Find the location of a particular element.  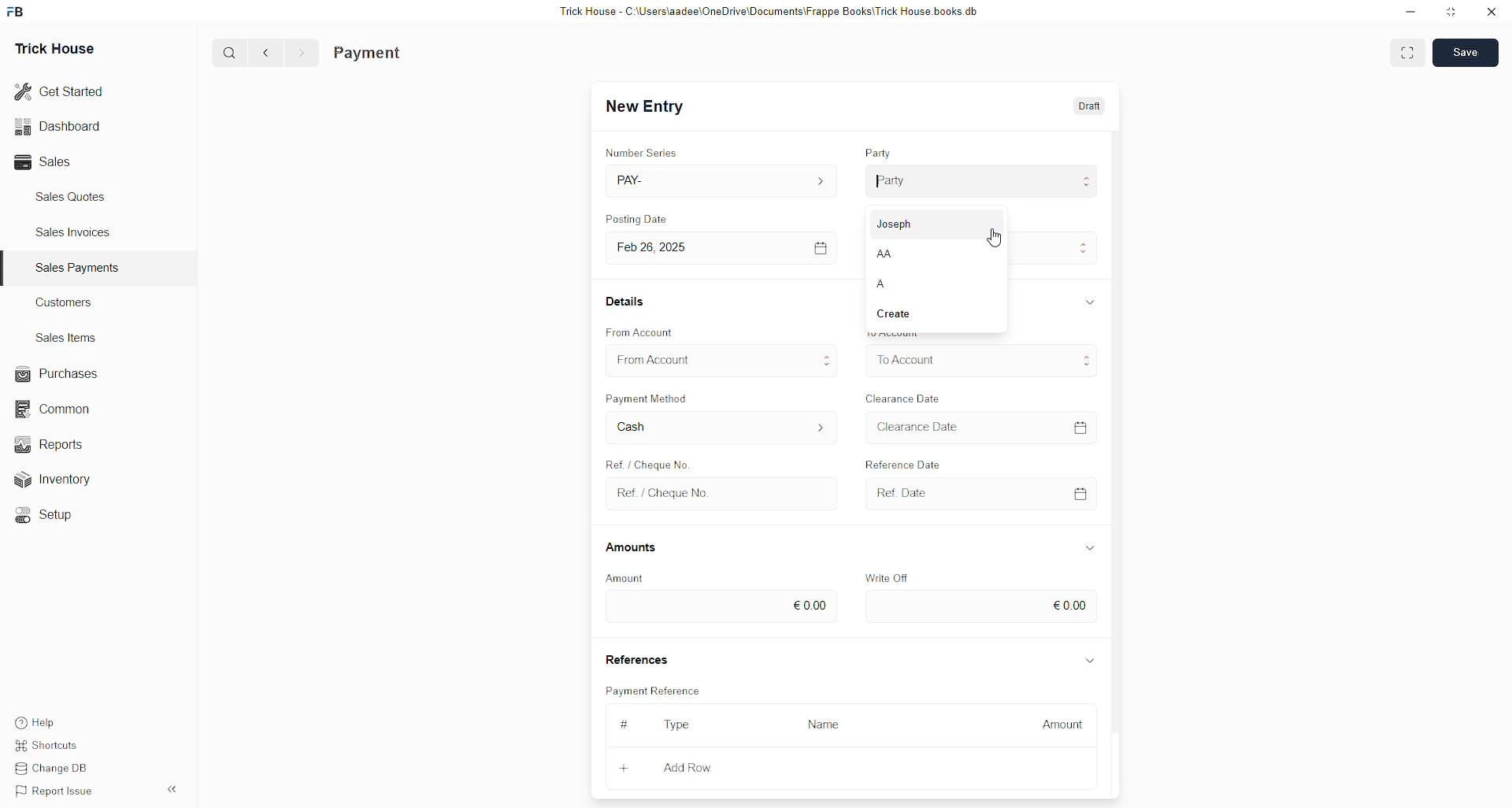

Feb 26, 2025 is located at coordinates (725, 249).